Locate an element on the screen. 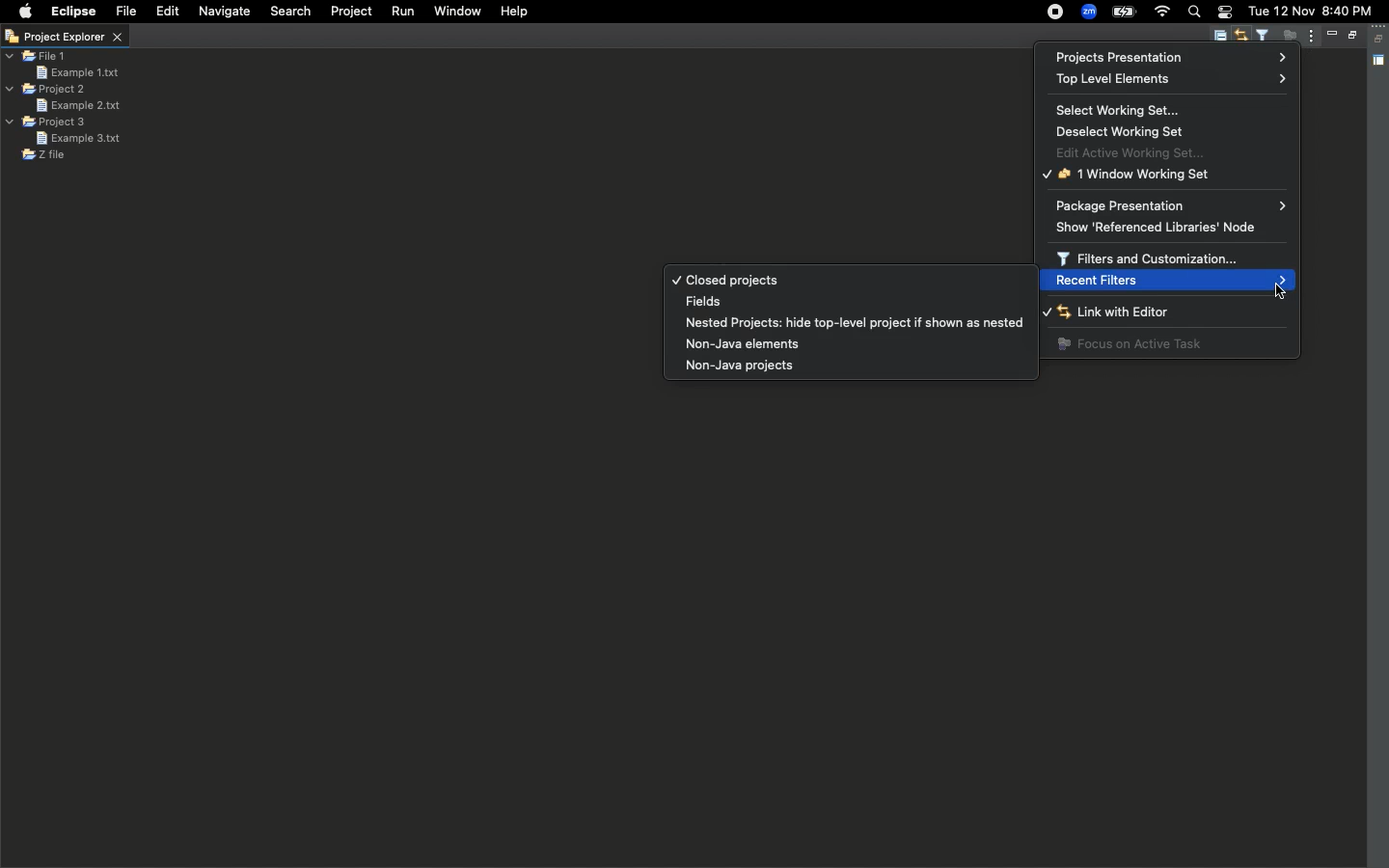 The height and width of the screenshot is (868, 1389). Focus on active task is located at coordinates (1130, 344).